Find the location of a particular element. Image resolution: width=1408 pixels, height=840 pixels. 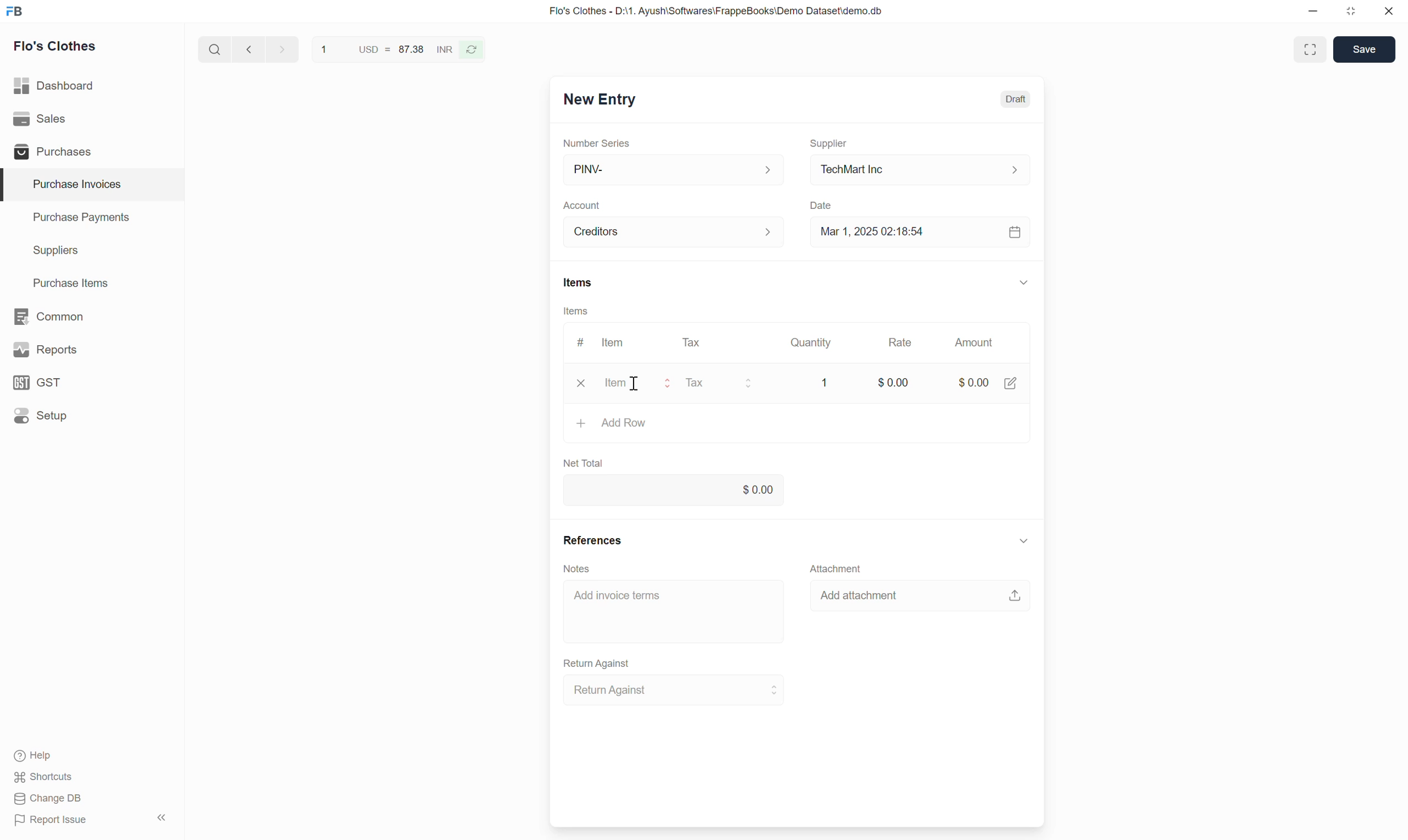

Previous is located at coordinates (249, 49).